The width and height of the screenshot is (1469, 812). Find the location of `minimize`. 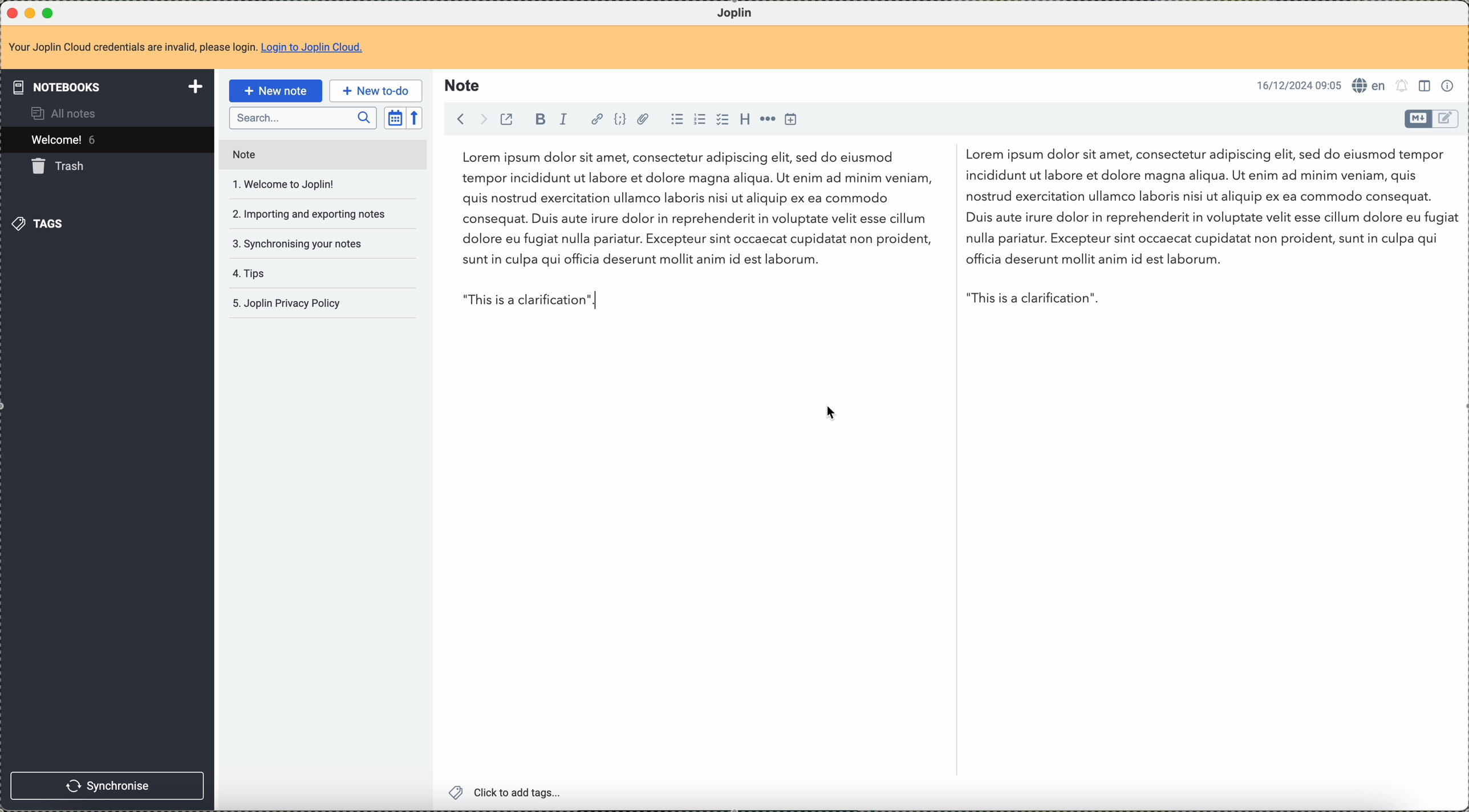

minimize is located at coordinates (30, 11).